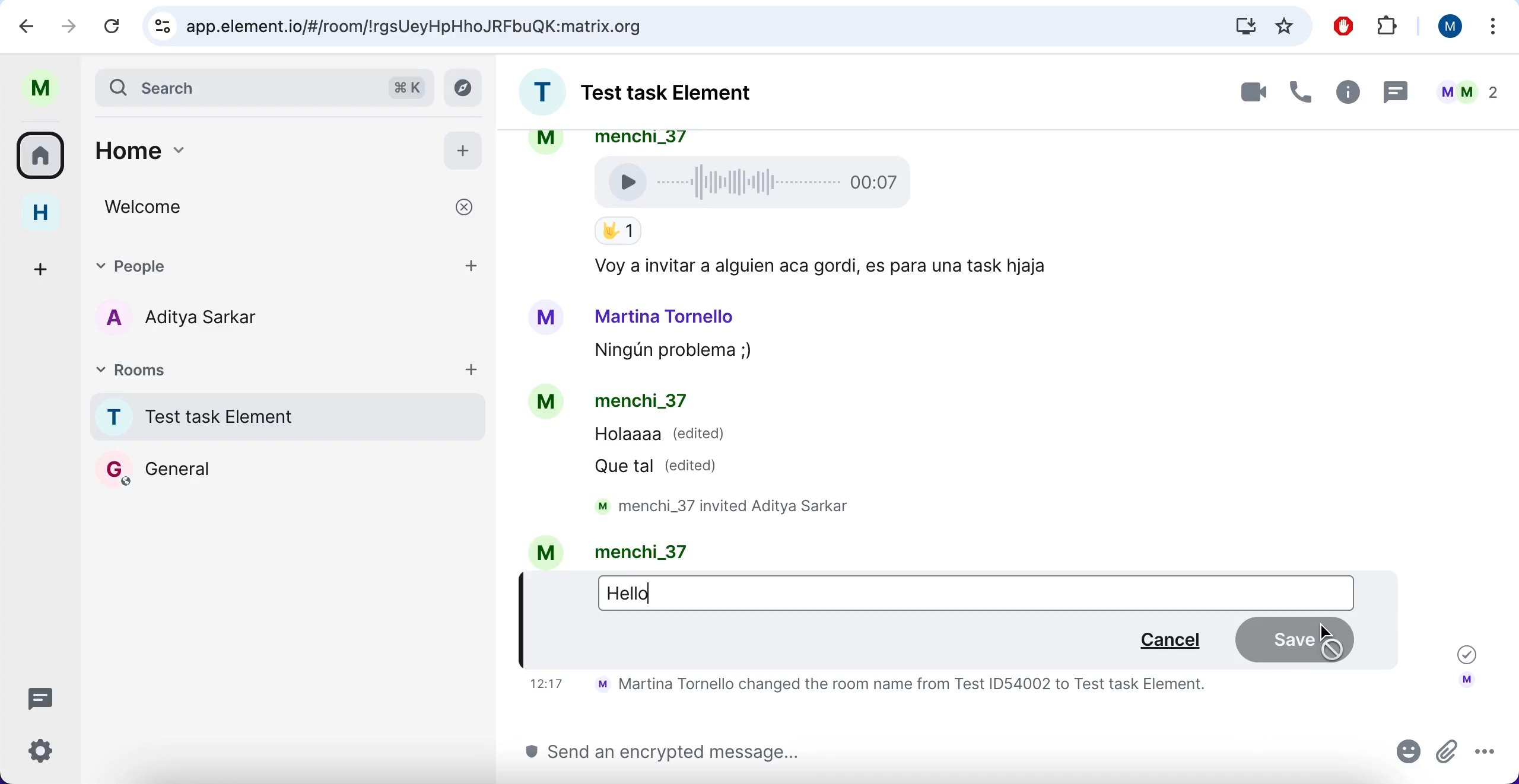  Describe the element at coordinates (660, 95) in the screenshot. I see `room chat` at that location.